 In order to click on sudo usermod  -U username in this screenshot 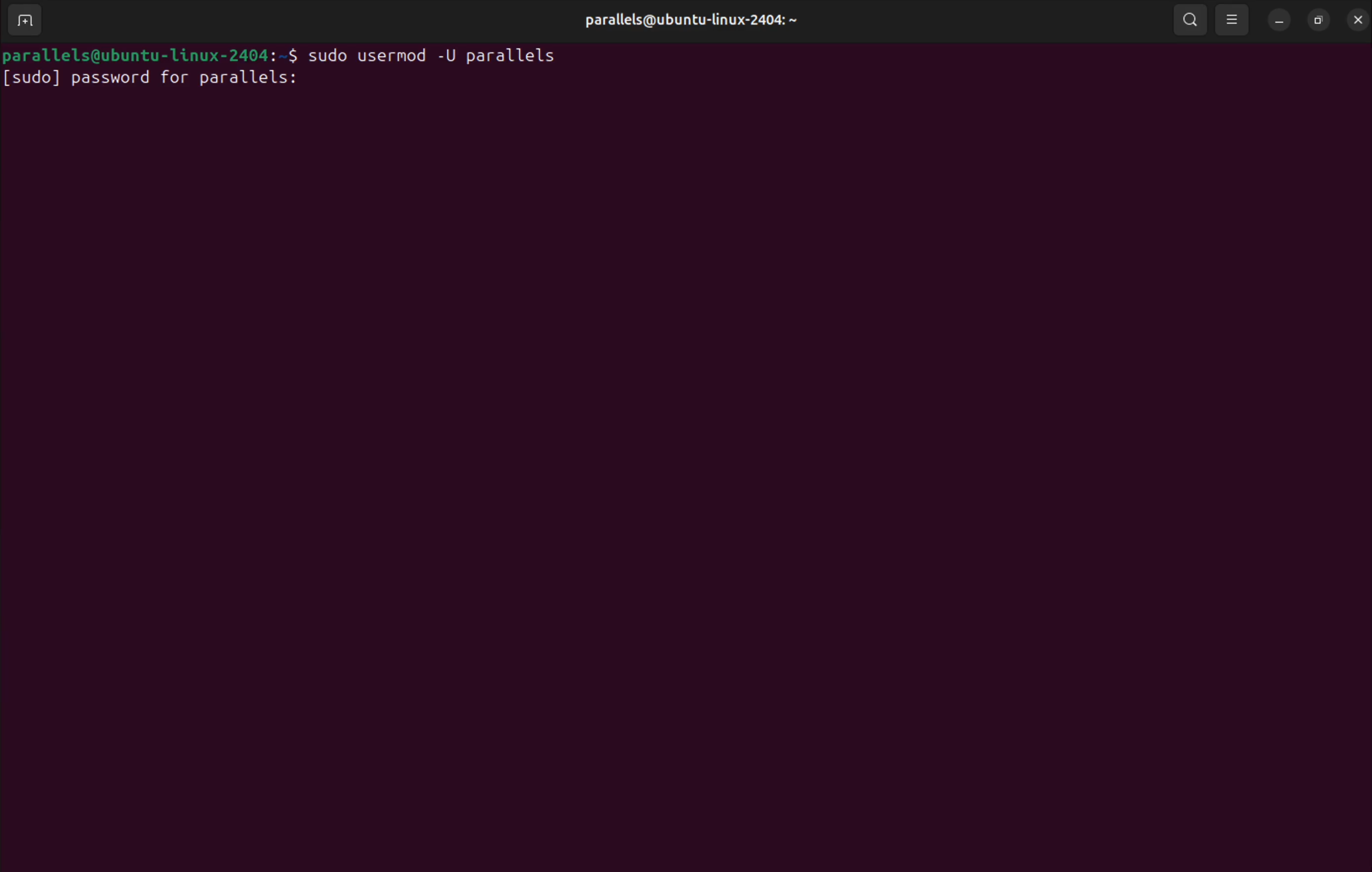, I will do `click(444, 53)`.